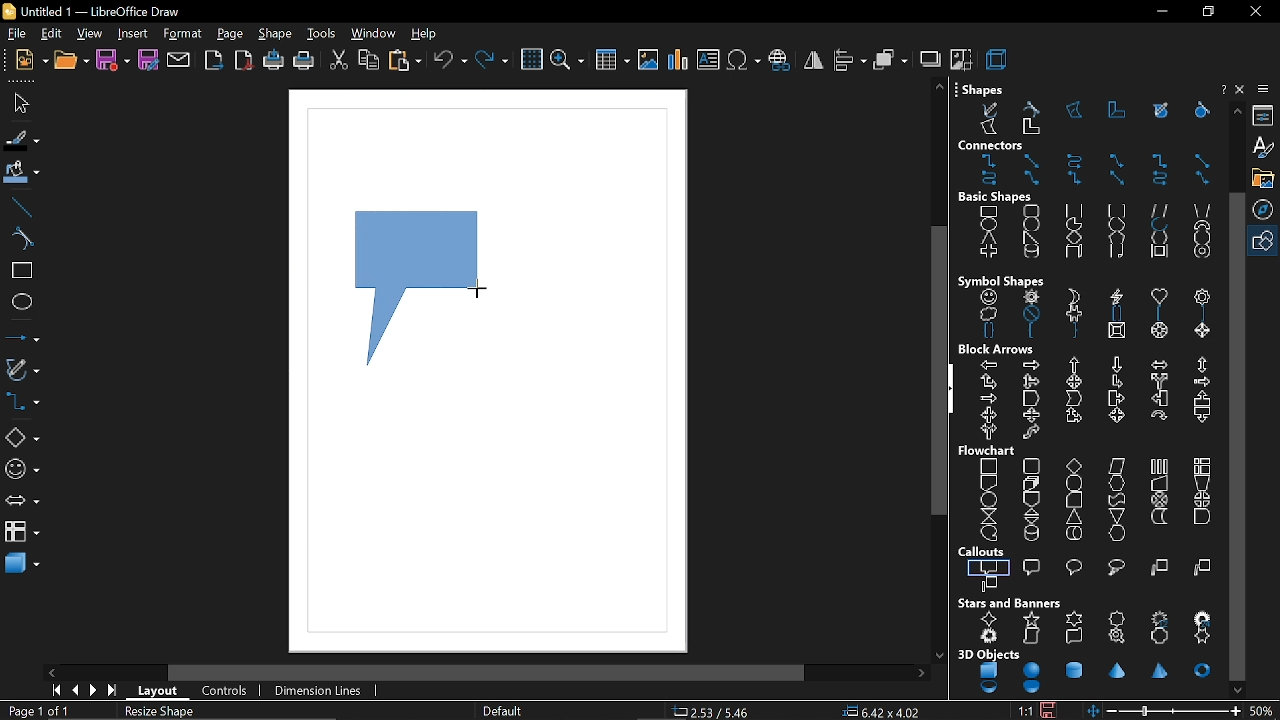  What do you see at coordinates (530, 61) in the screenshot?
I see `grid` at bounding box center [530, 61].